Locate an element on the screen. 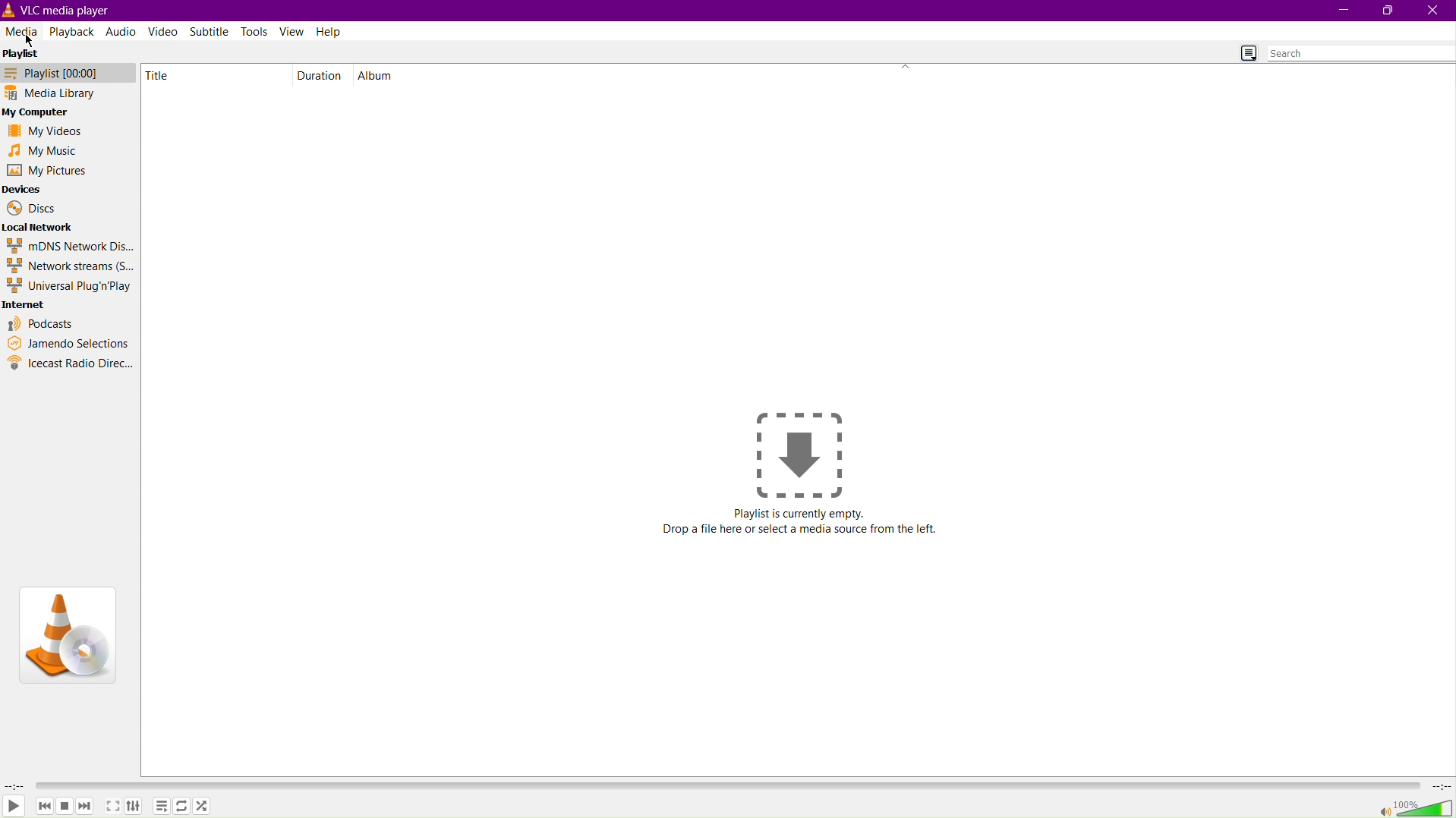 Image resolution: width=1456 pixels, height=818 pixels. Devices is located at coordinates (24, 188).